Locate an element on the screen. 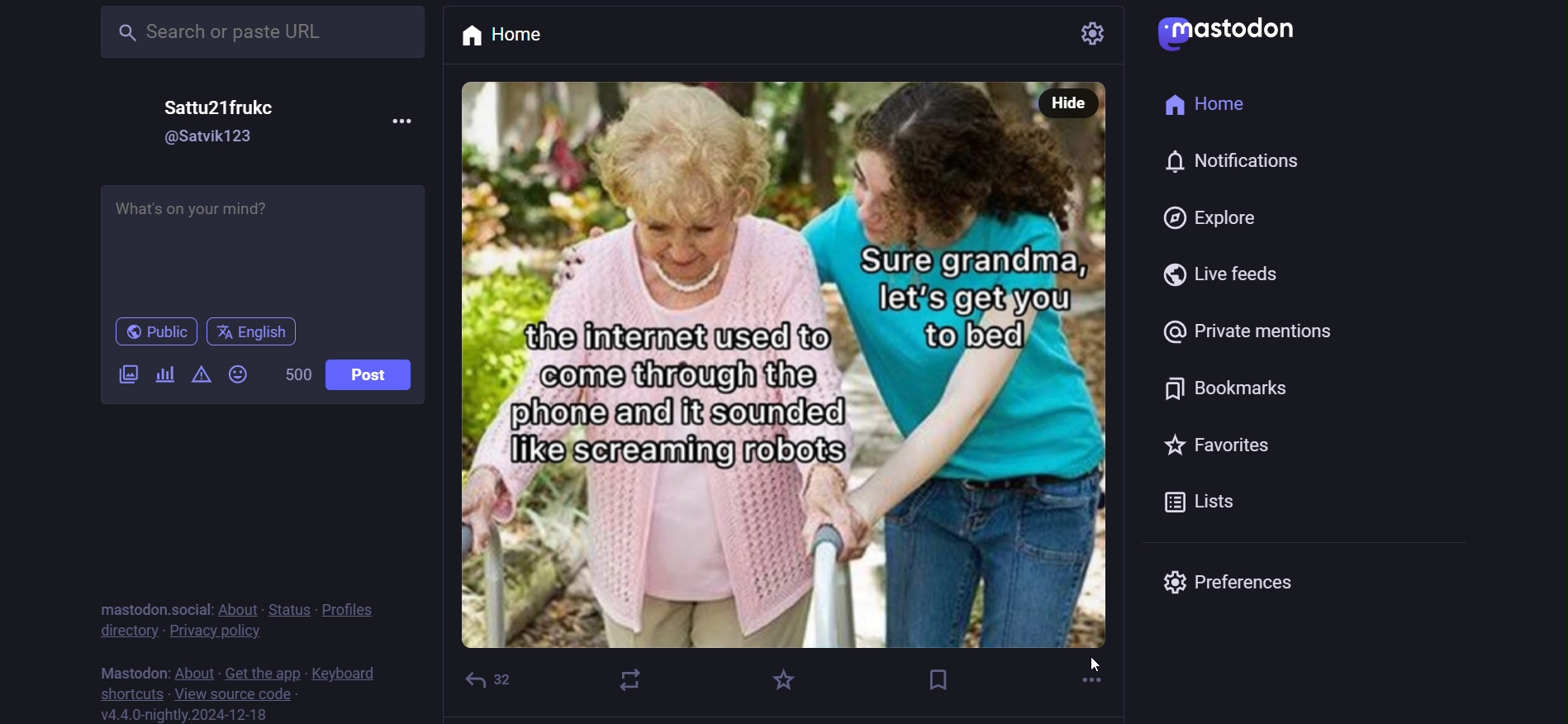  reply is located at coordinates (485, 676).